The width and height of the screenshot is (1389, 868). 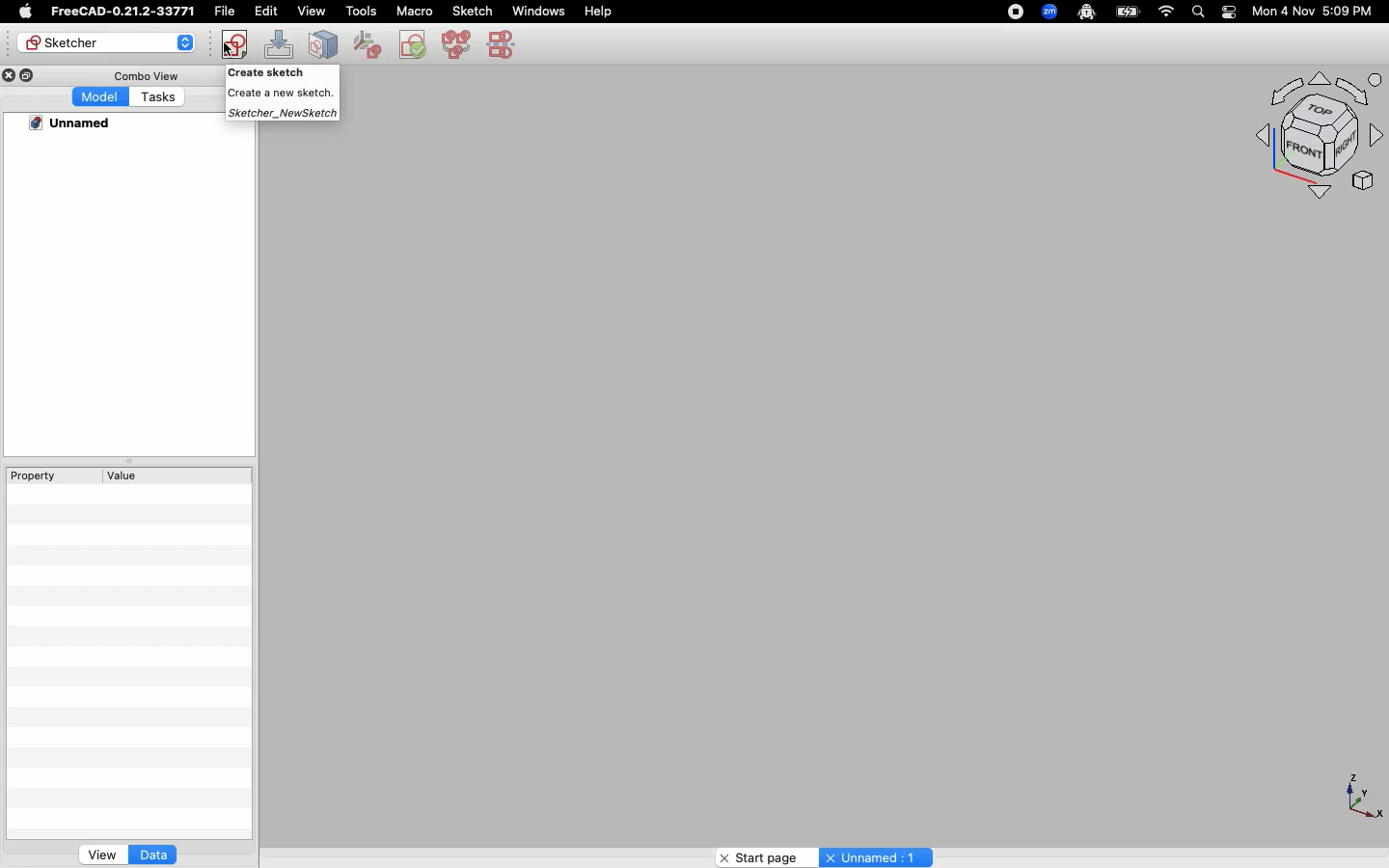 What do you see at coordinates (95, 854) in the screenshot?
I see `View` at bounding box center [95, 854].